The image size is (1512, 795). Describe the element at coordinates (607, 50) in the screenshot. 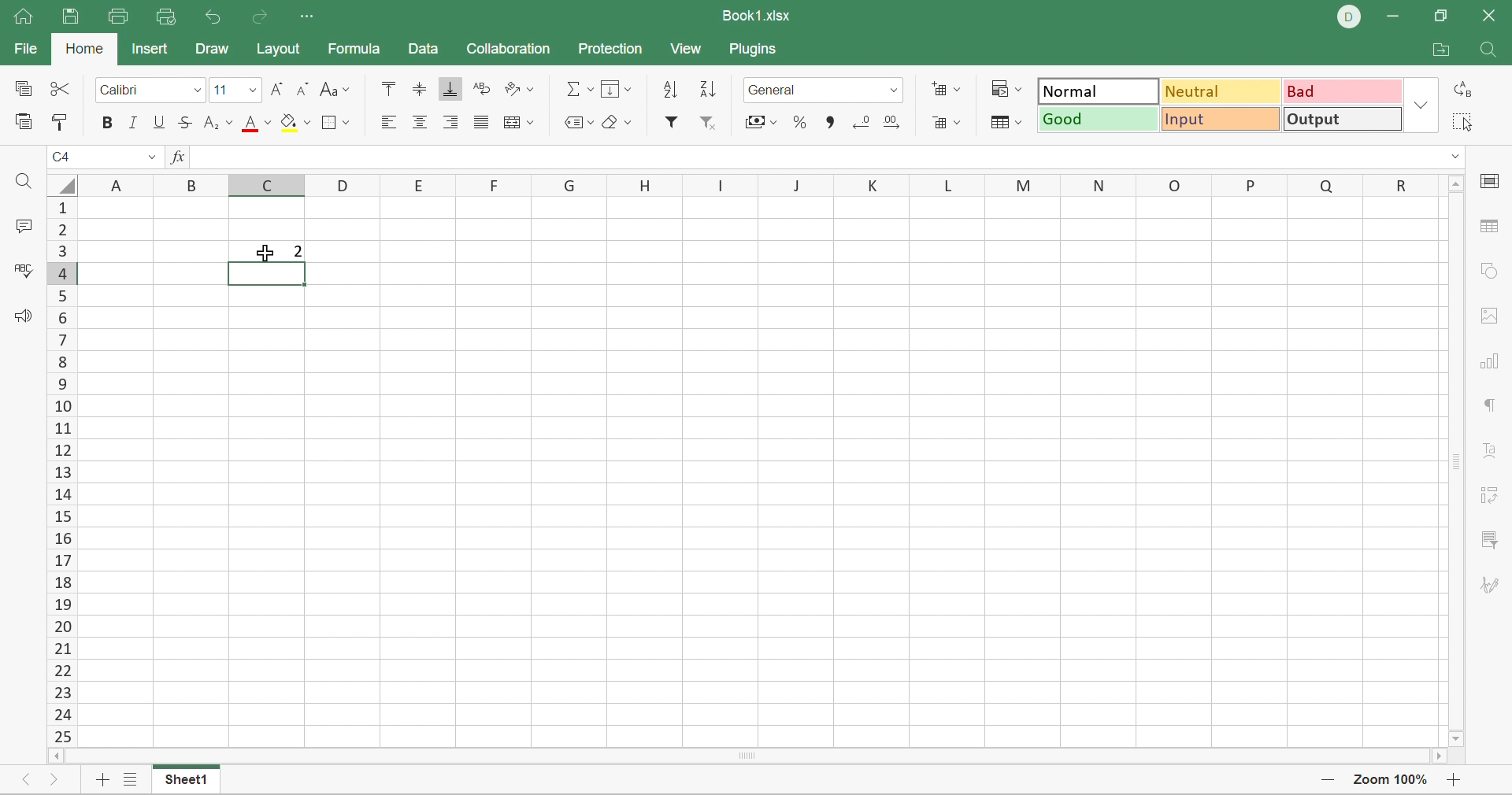

I see `Protection` at that location.